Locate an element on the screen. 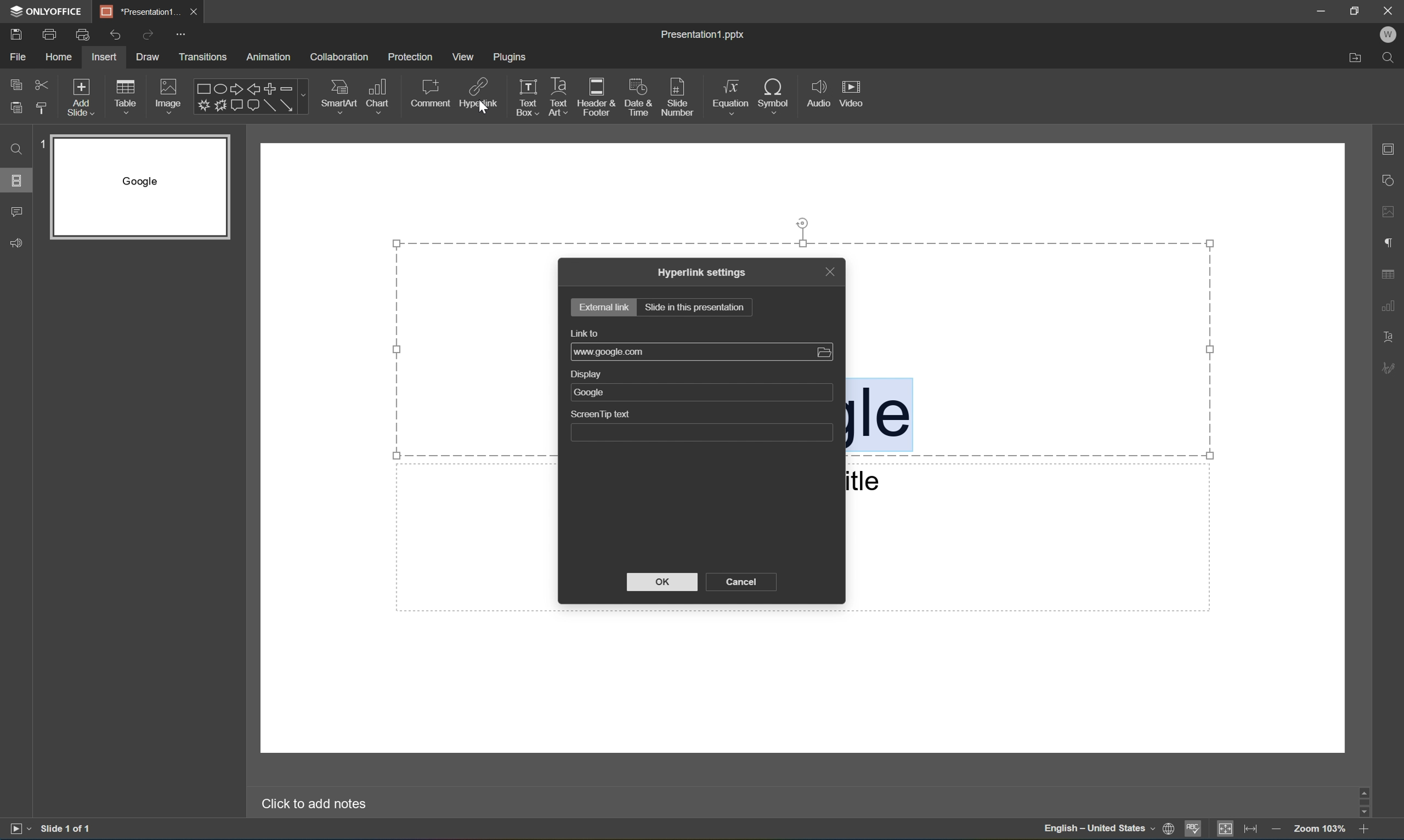 Image resolution: width=1404 pixels, height=840 pixels. Customize Quick Access Toolbar is located at coordinates (181, 35).